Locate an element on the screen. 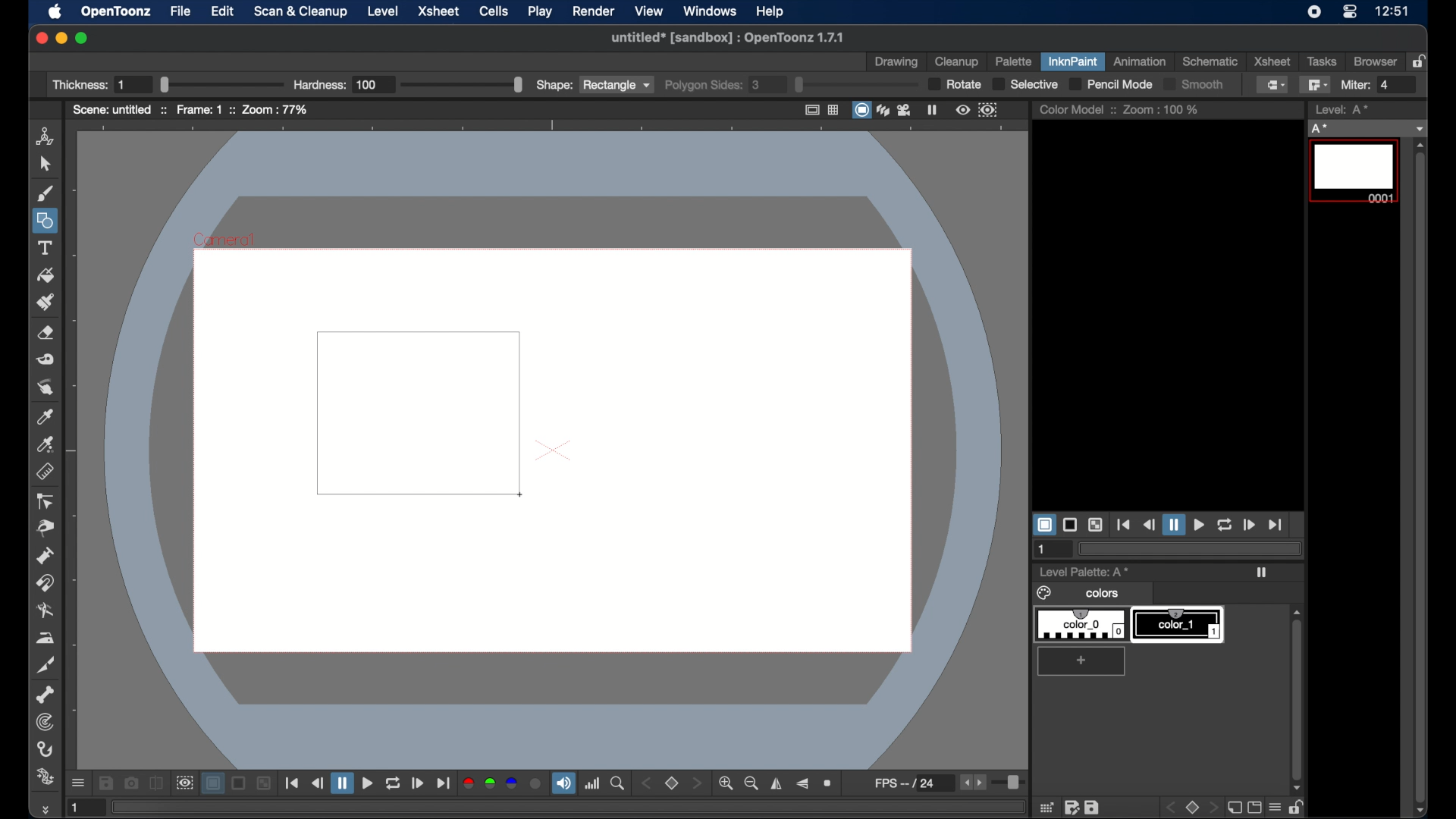 The height and width of the screenshot is (819, 1456). color_1 is located at coordinates (1179, 625).